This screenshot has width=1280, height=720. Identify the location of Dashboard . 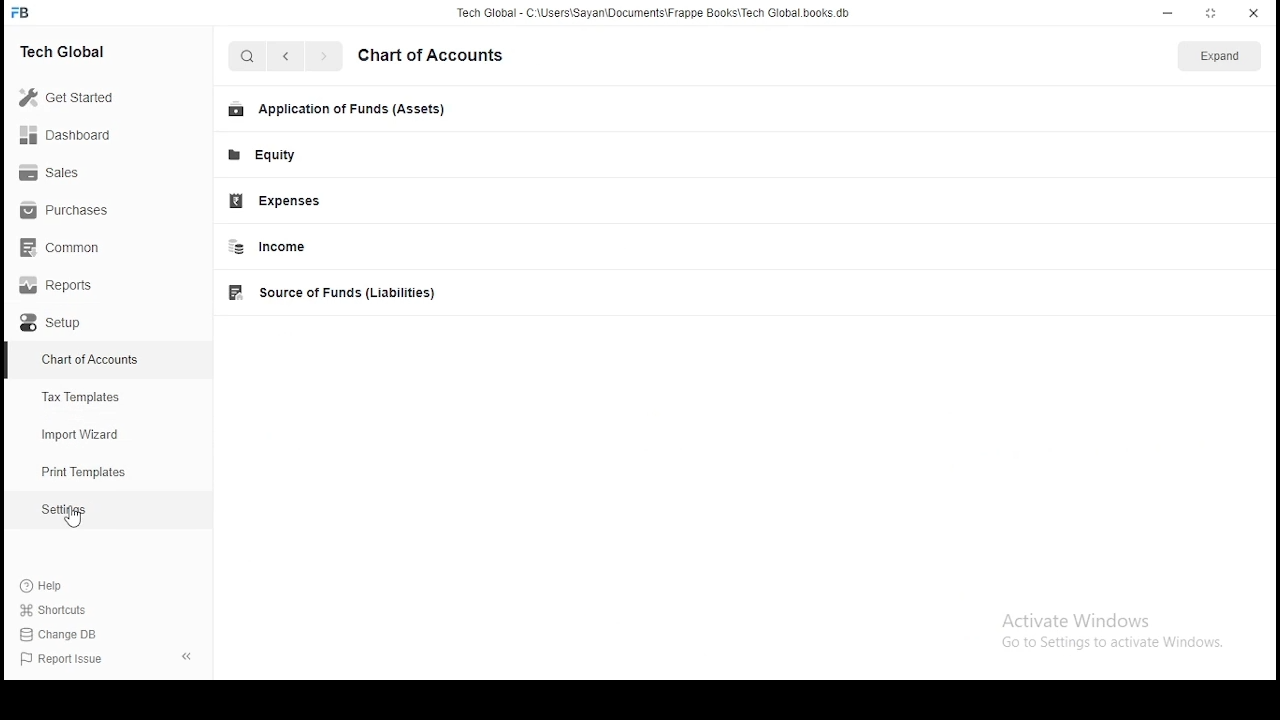
(85, 135).